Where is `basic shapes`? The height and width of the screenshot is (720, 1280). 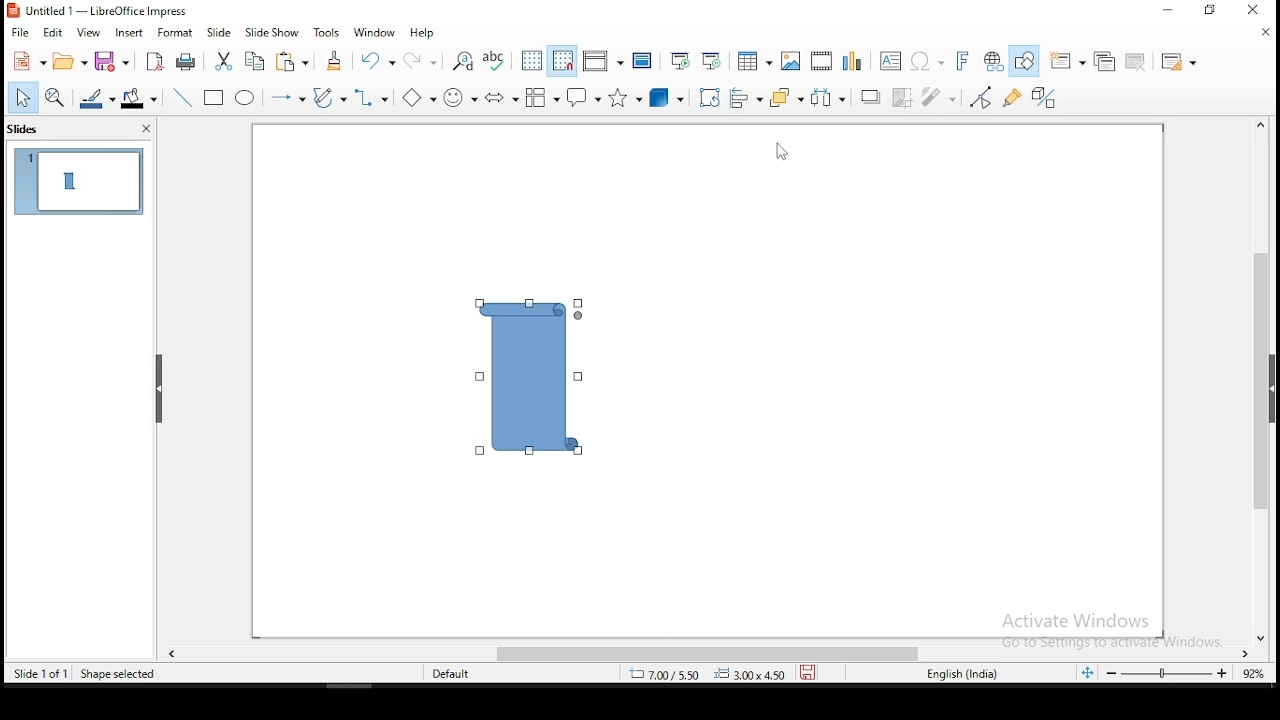
basic shapes is located at coordinates (420, 98).